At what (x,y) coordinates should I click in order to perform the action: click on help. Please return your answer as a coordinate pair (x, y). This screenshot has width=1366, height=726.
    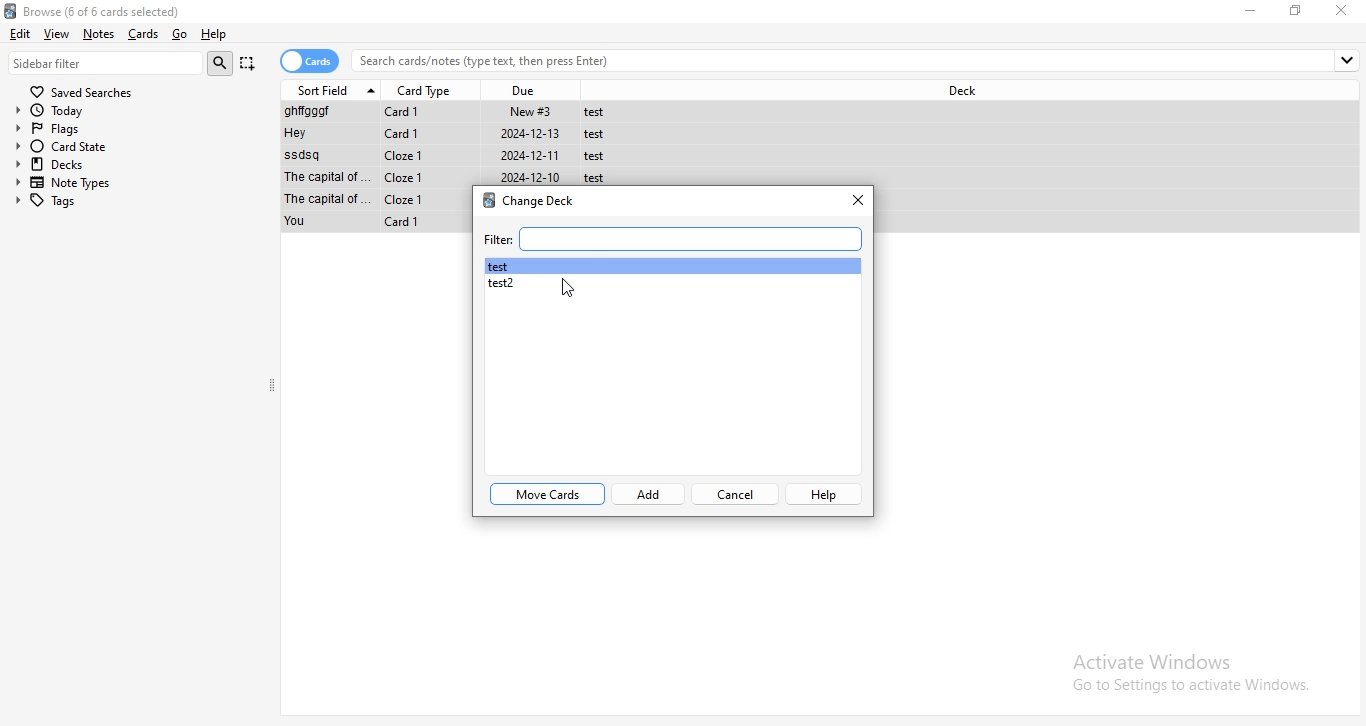
    Looking at the image, I should click on (822, 494).